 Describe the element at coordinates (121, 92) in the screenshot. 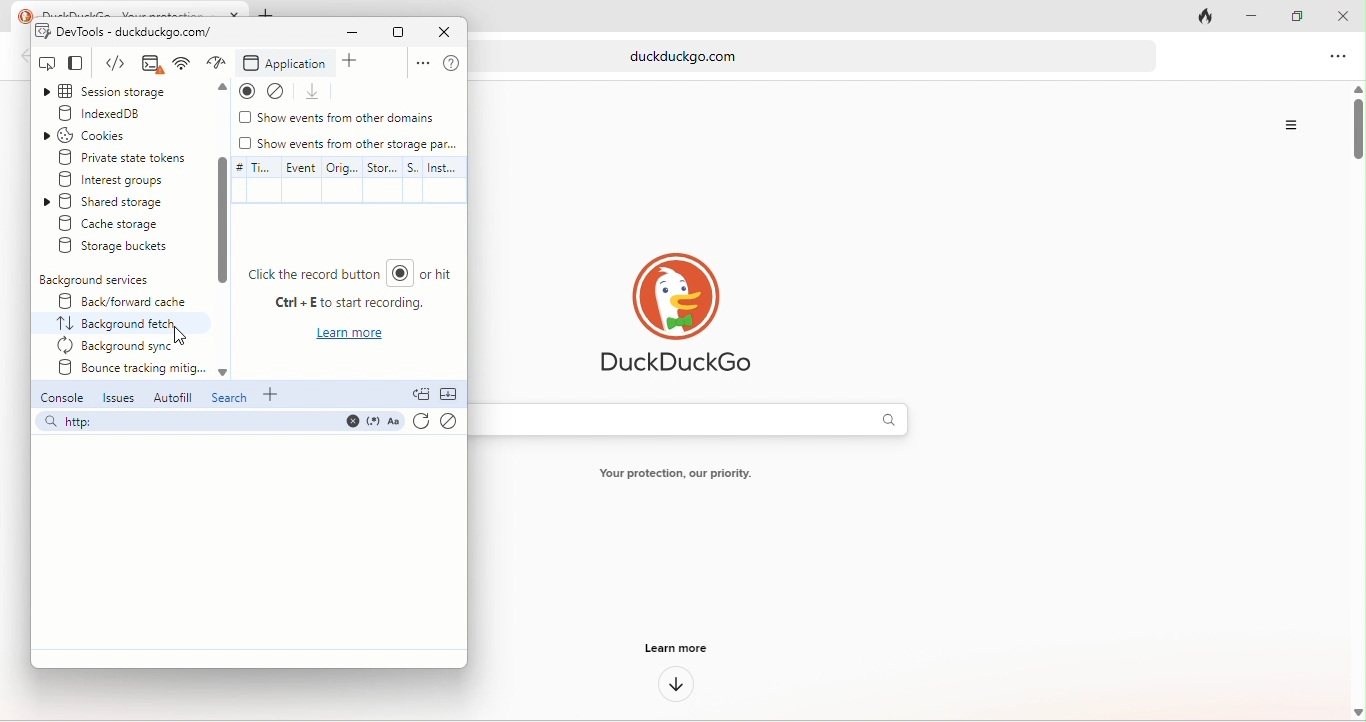

I see `session storage` at that location.